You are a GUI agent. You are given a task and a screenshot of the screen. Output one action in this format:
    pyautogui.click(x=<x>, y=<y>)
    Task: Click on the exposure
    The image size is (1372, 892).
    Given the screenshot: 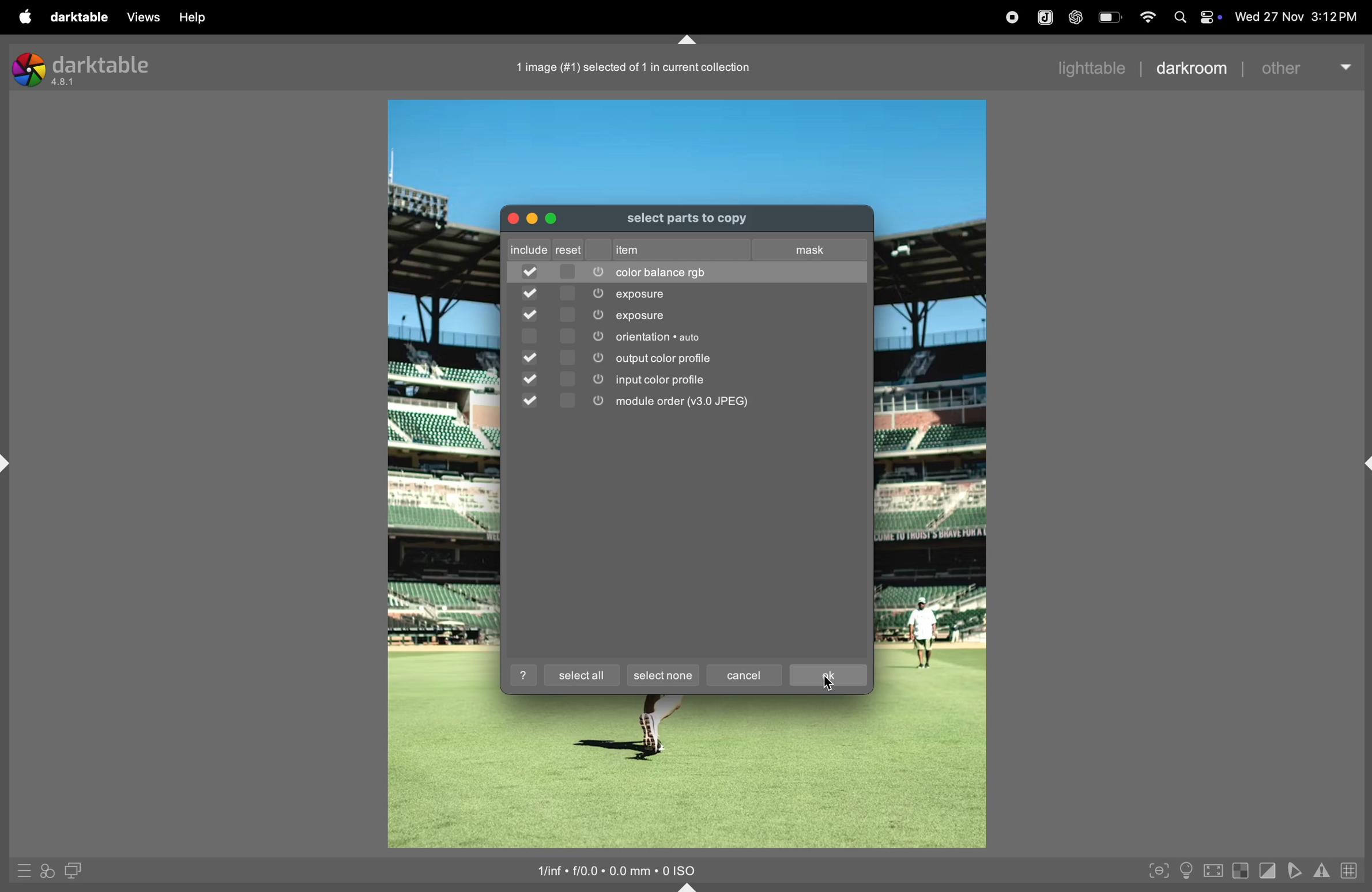 What is the action you would take?
    pyautogui.click(x=708, y=296)
    